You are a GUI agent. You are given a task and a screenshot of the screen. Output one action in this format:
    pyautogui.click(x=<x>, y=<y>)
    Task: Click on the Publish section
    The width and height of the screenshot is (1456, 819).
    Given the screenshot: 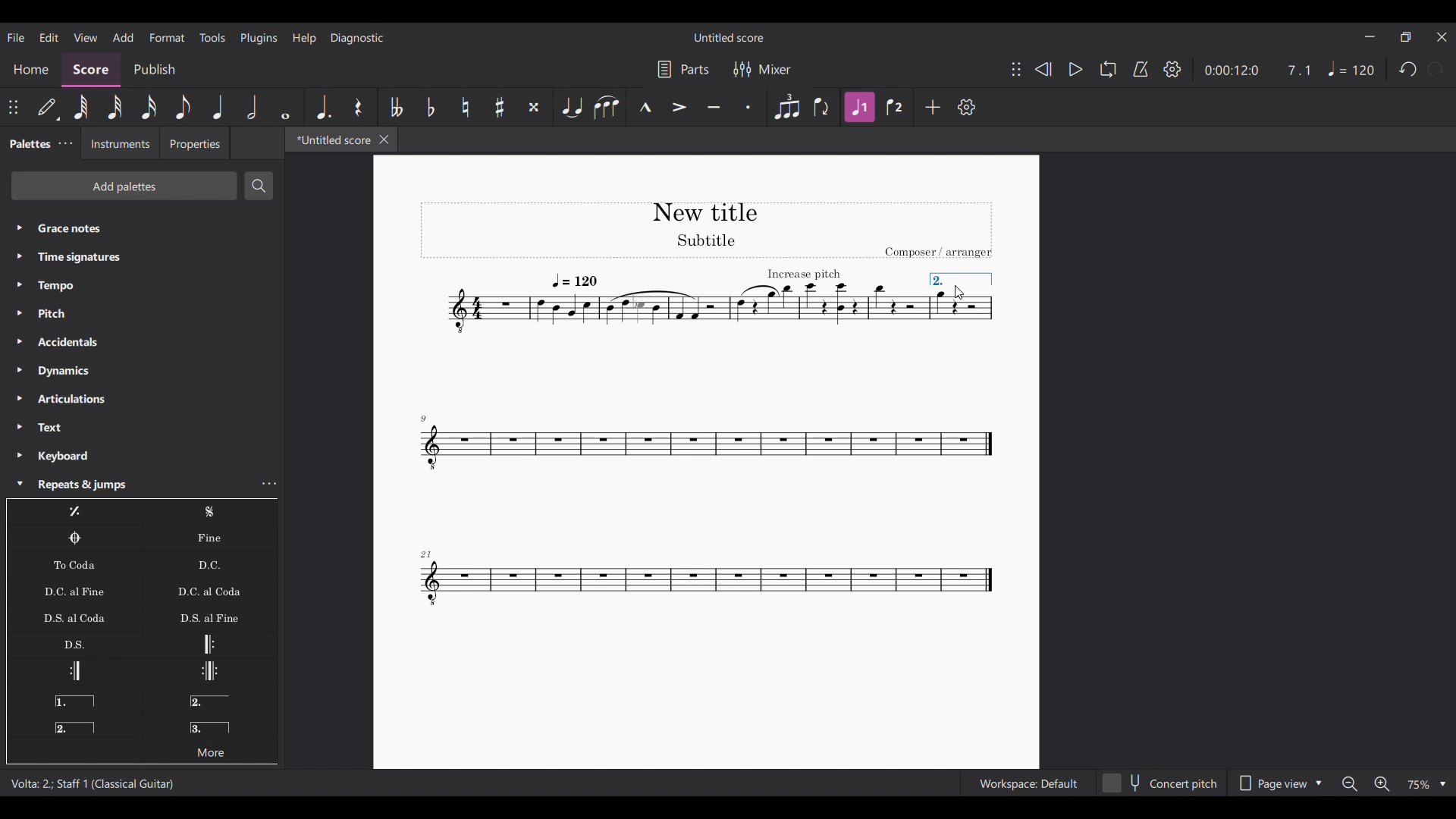 What is the action you would take?
    pyautogui.click(x=155, y=71)
    